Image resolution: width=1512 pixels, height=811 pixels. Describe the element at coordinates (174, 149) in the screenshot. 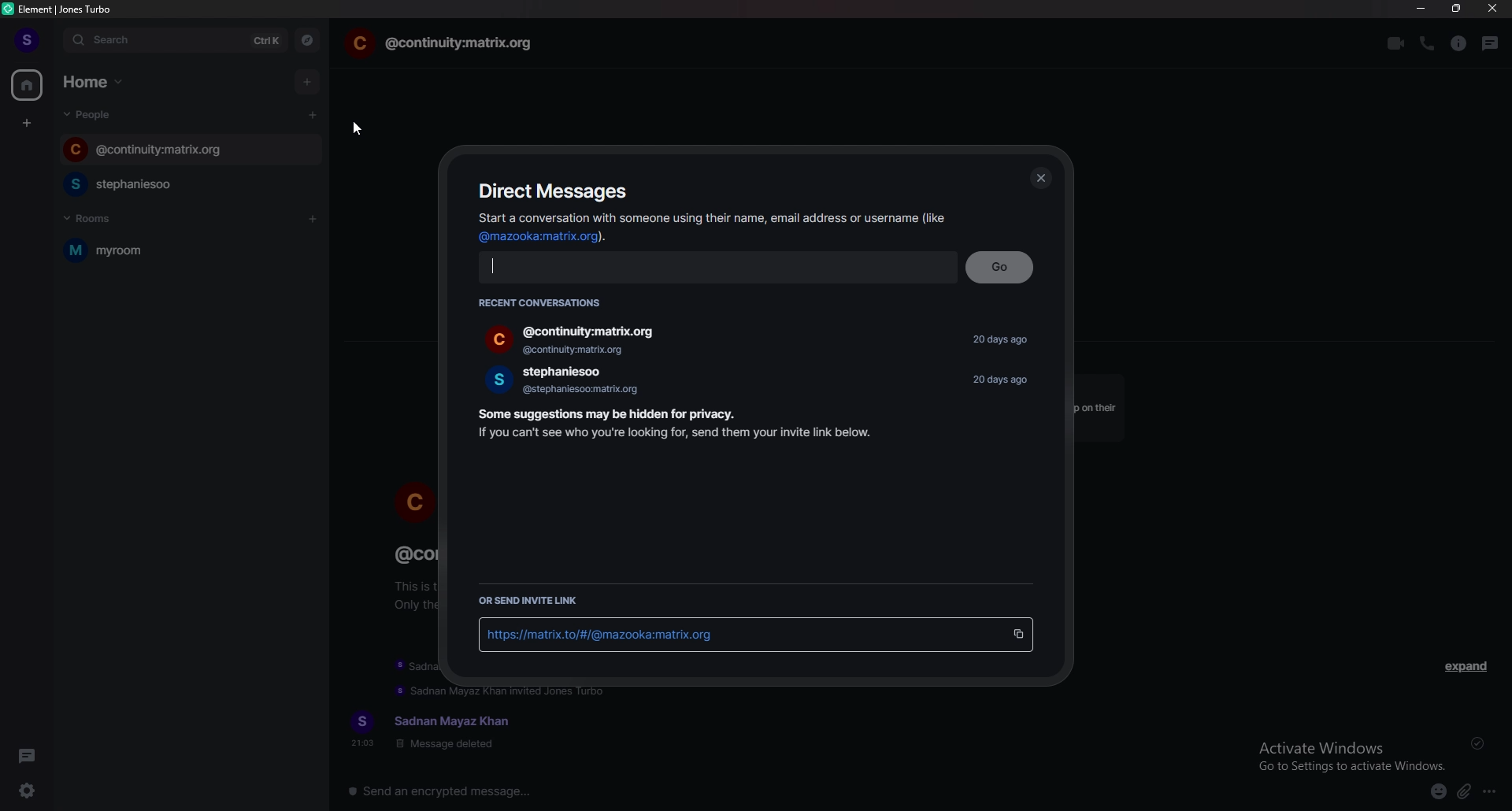

I see `chat` at that location.